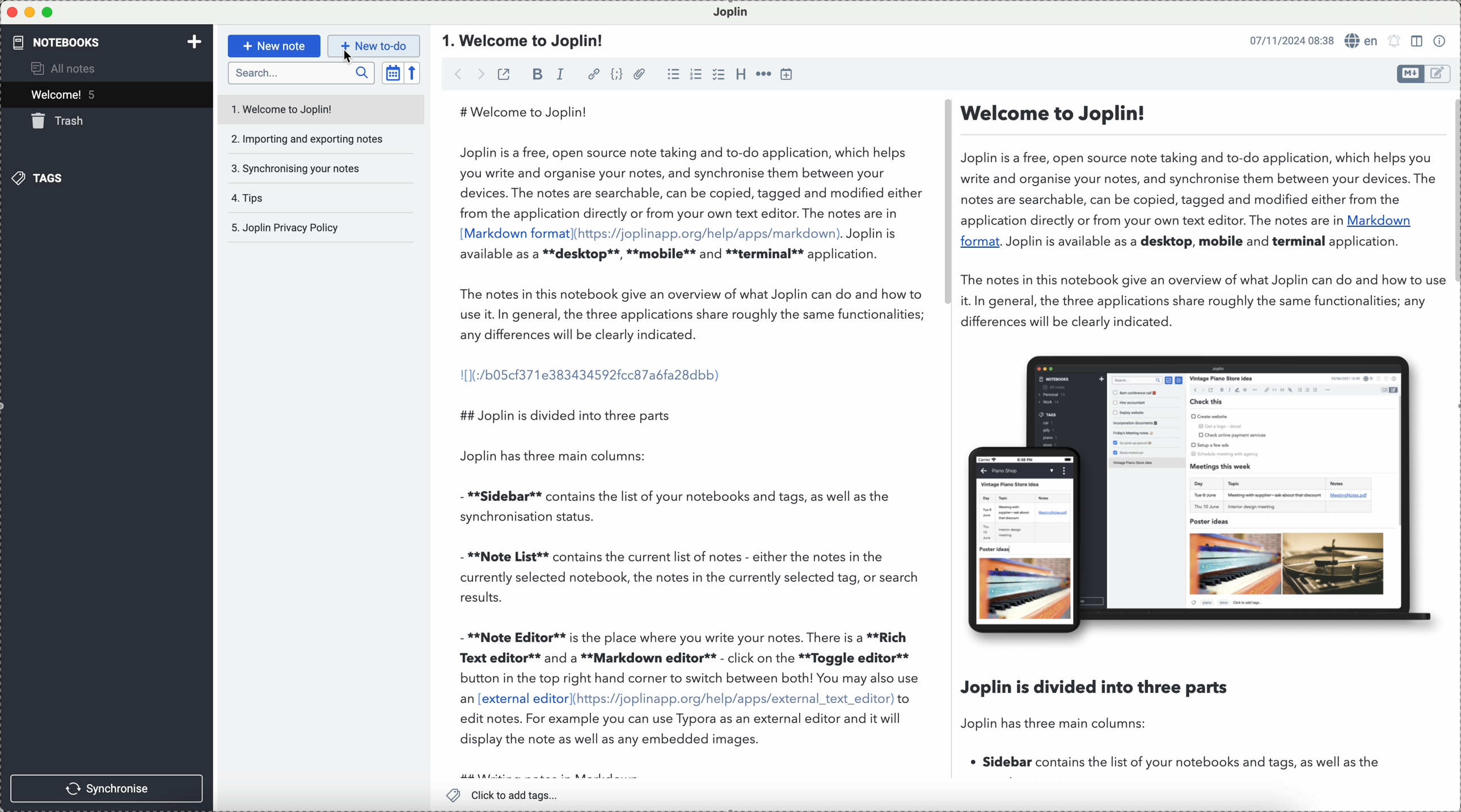 Image resolution: width=1461 pixels, height=812 pixels. Describe the element at coordinates (321, 139) in the screenshot. I see `importing and exporting notes` at that location.